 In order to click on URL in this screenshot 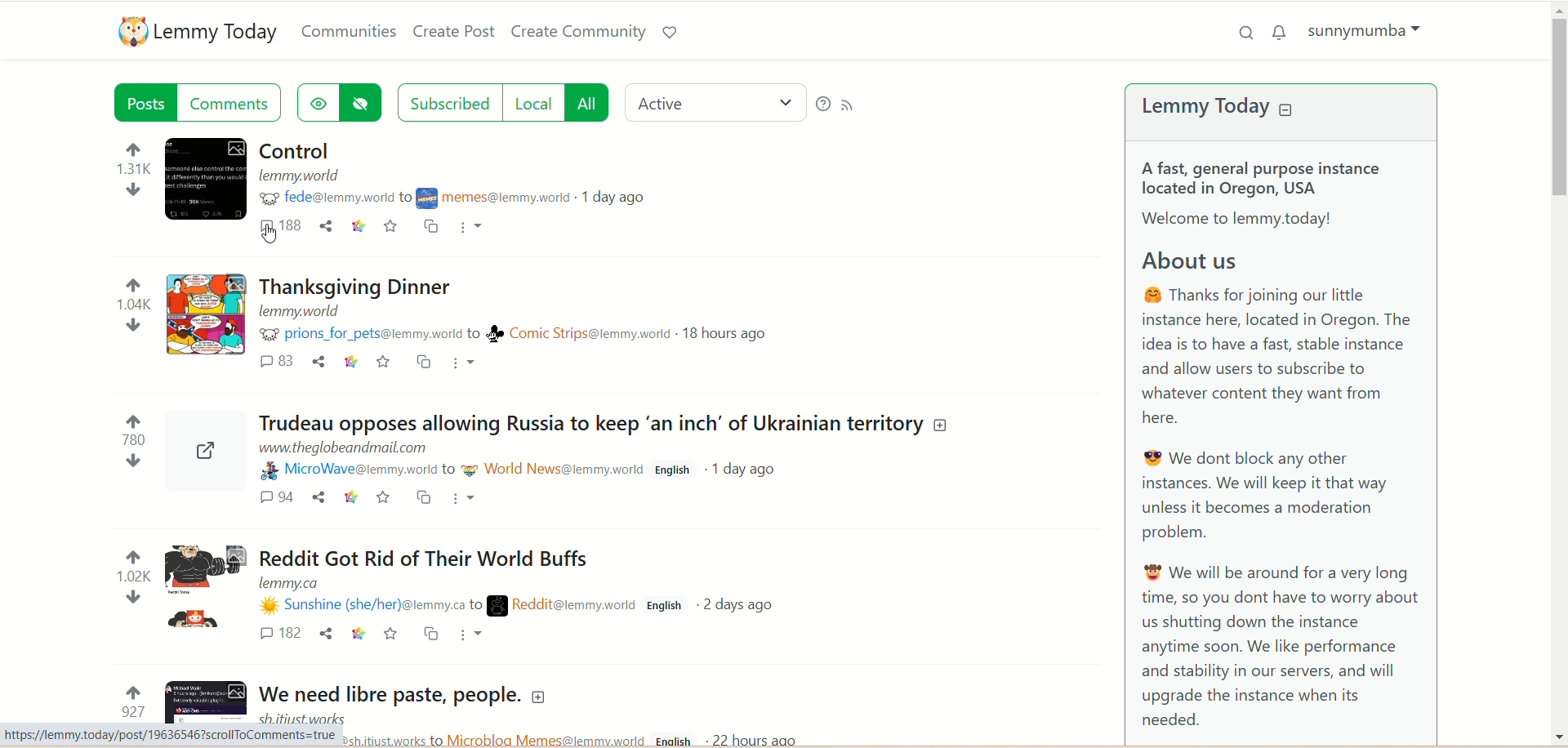, I will do `click(361, 447)`.